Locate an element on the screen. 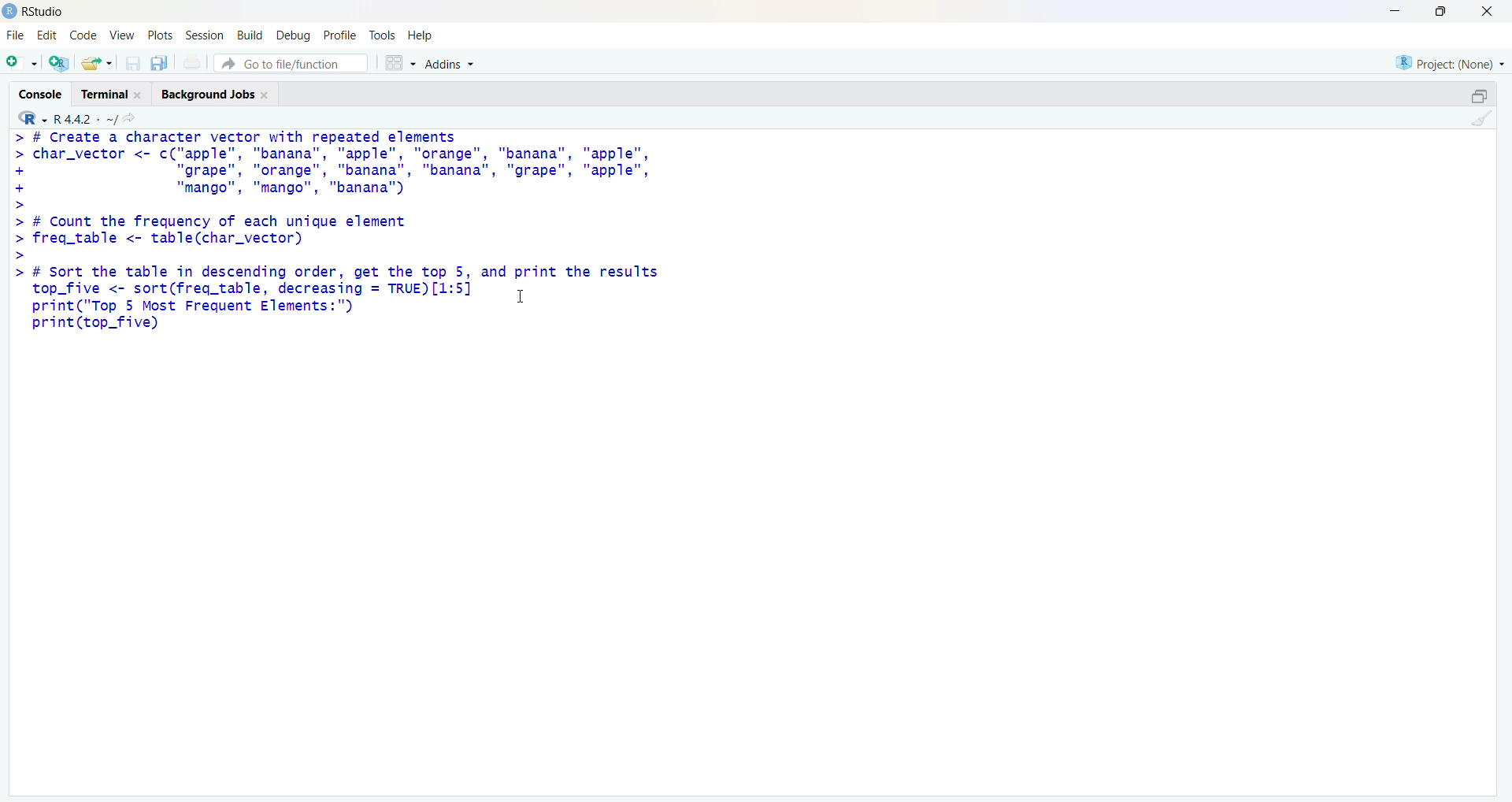 Image resolution: width=1512 pixels, height=802 pixels. Profile is located at coordinates (340, 36).